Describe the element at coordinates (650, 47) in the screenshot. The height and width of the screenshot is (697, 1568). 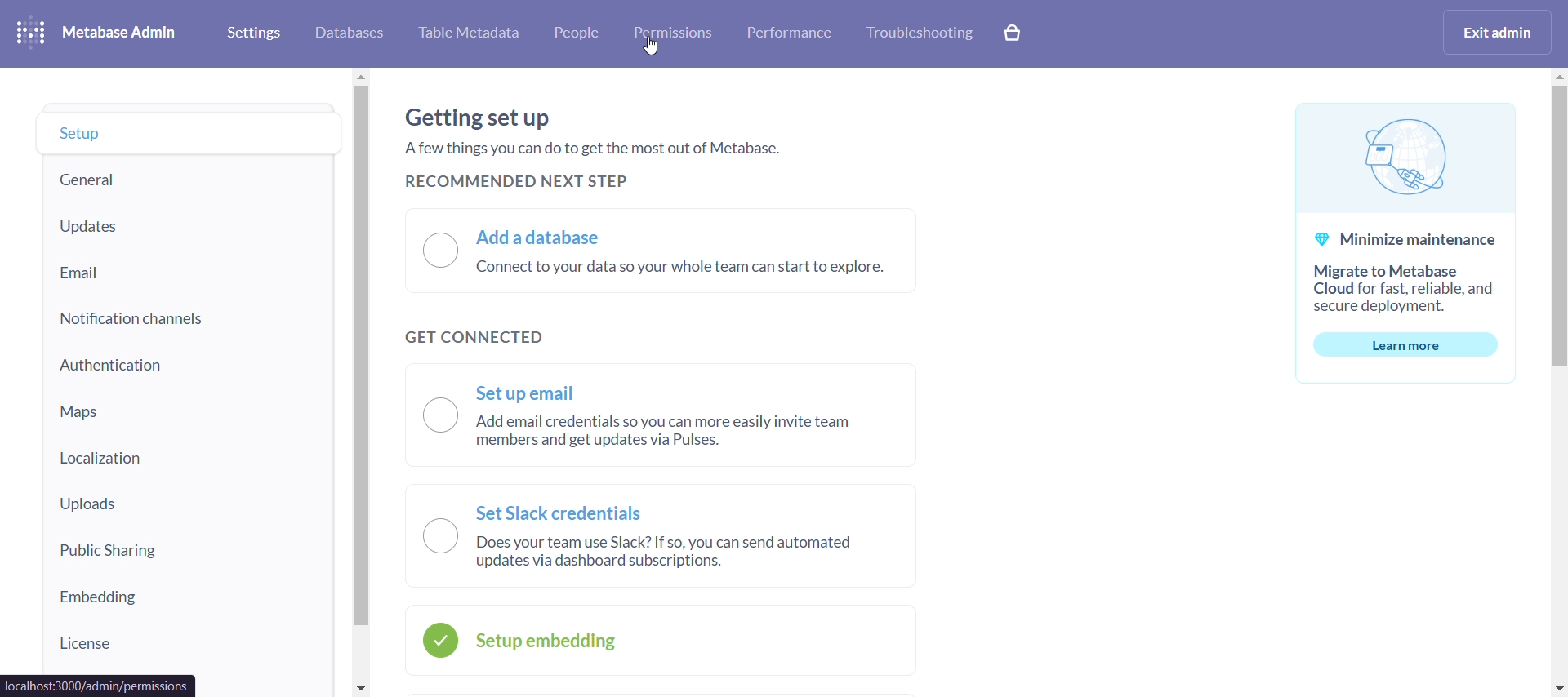
I see `cursor` at that location.